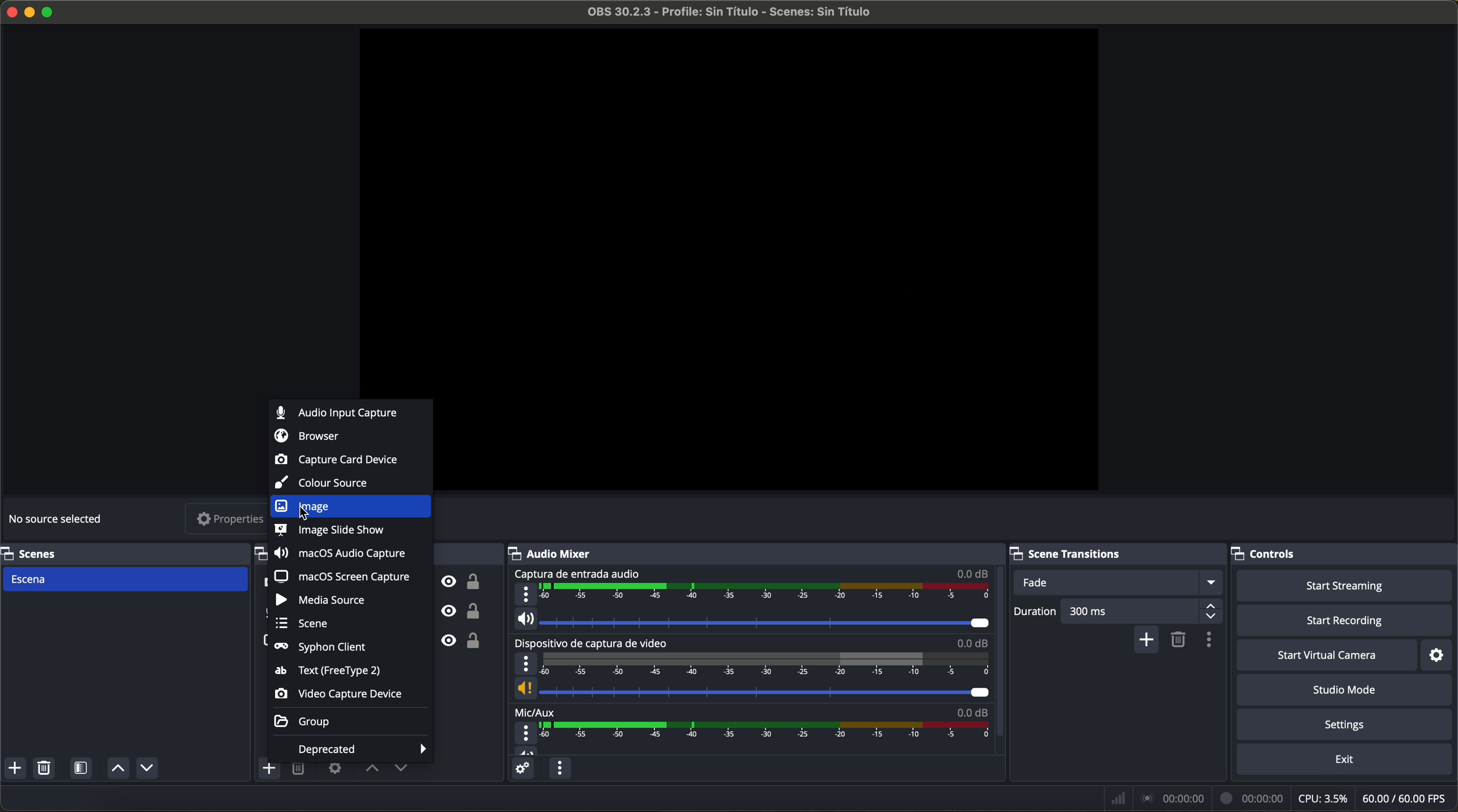 This screenshot has width=1458, height=812. Describe the element at coordinates (1143, 611) in the screenshot. I see `300 ms` at that location.